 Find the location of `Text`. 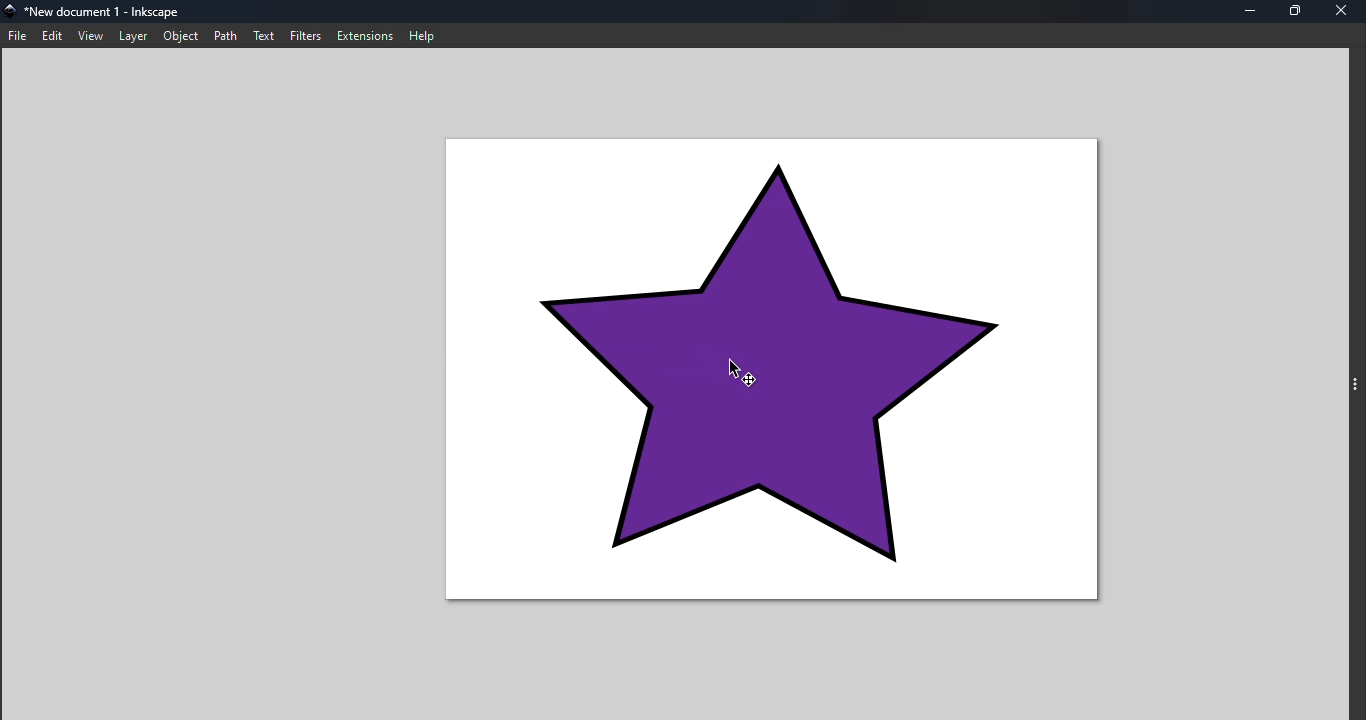

Text is located at coordinates (265, 35).